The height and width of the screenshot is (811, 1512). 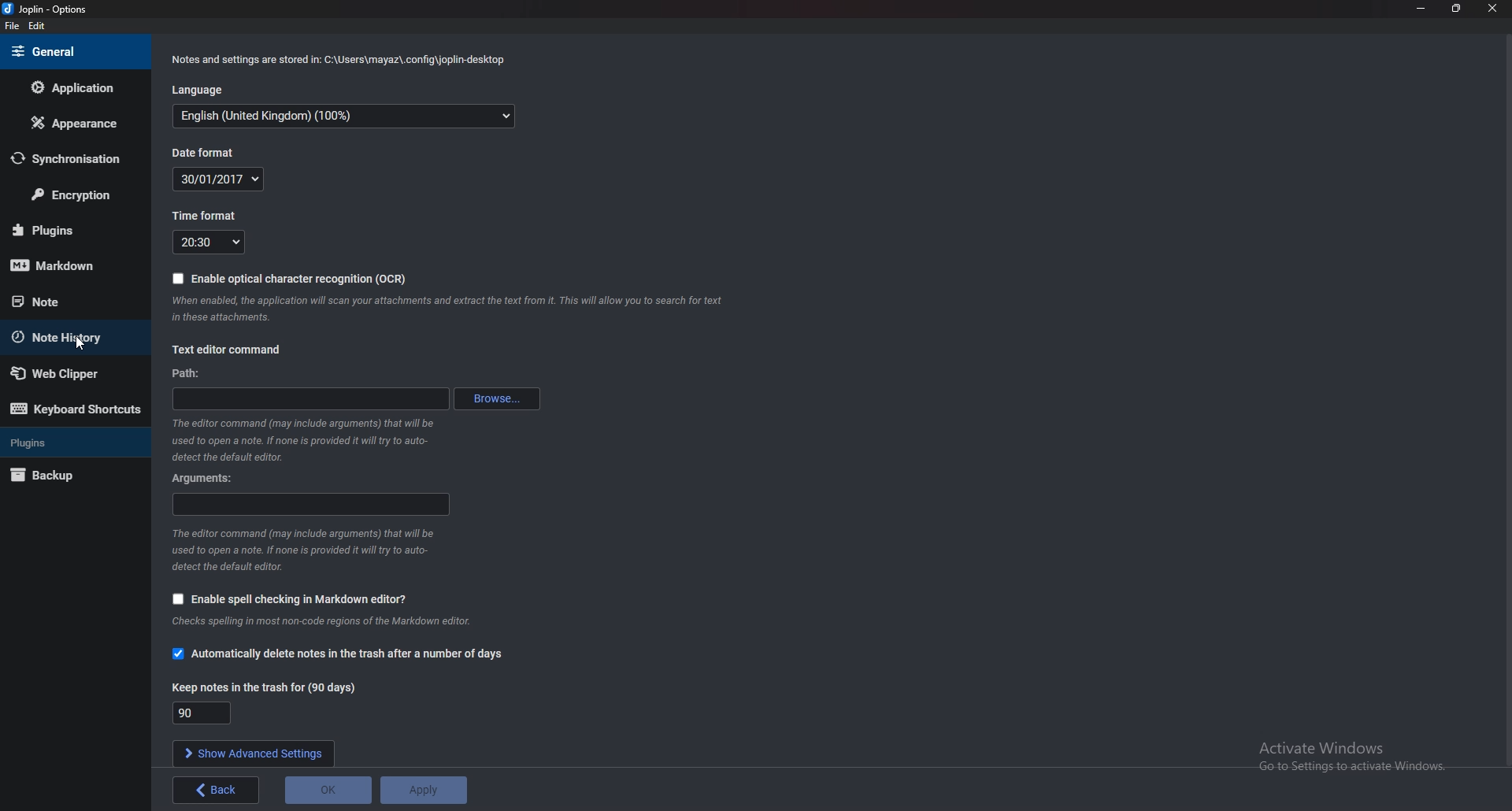 What do you see at coordinates (66, 231) in the screenshot?
I see `Plugins` at bounding box center [66, 231].